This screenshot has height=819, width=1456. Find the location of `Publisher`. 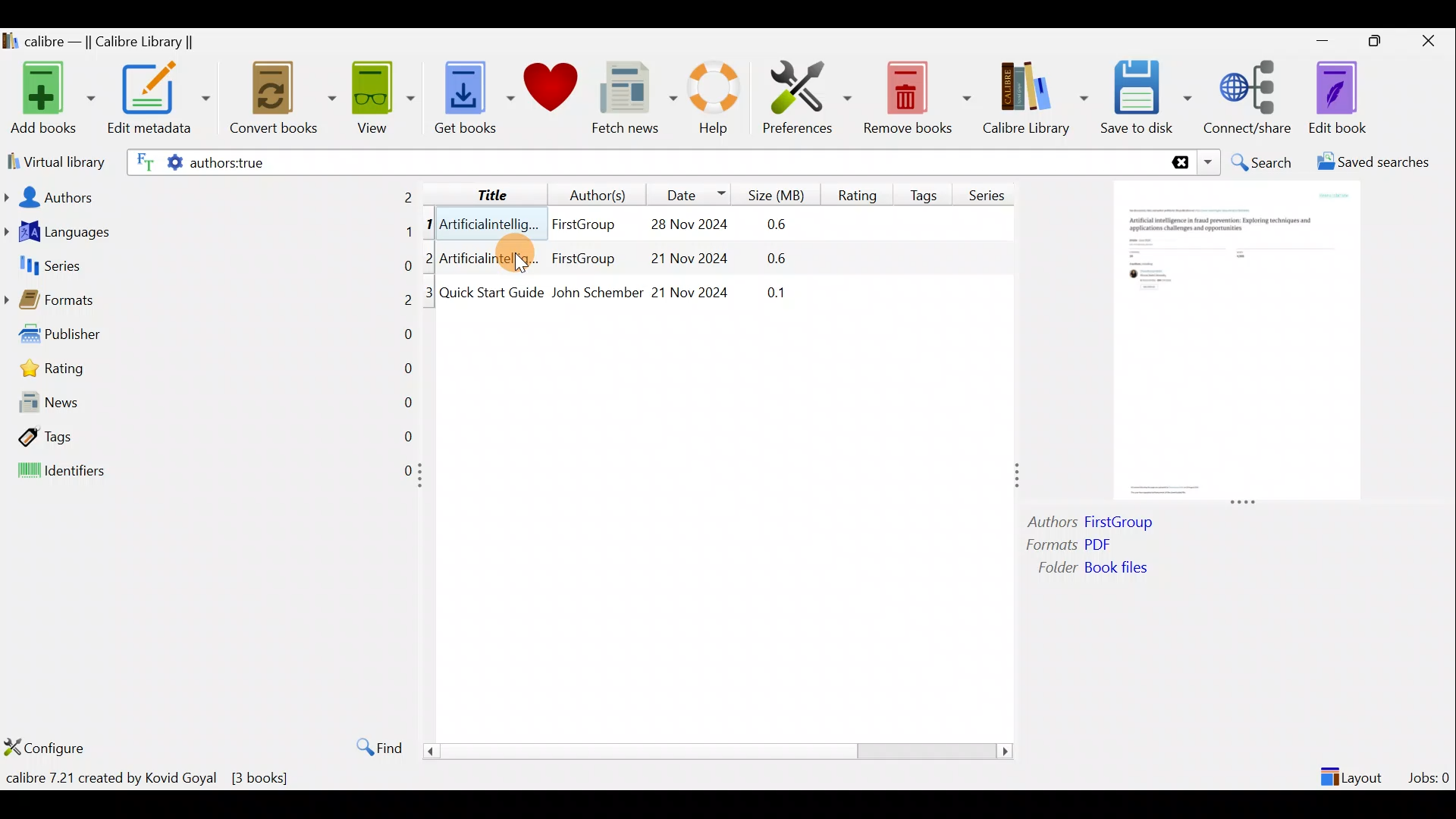

Publisher is located at coordinates (211, 337).